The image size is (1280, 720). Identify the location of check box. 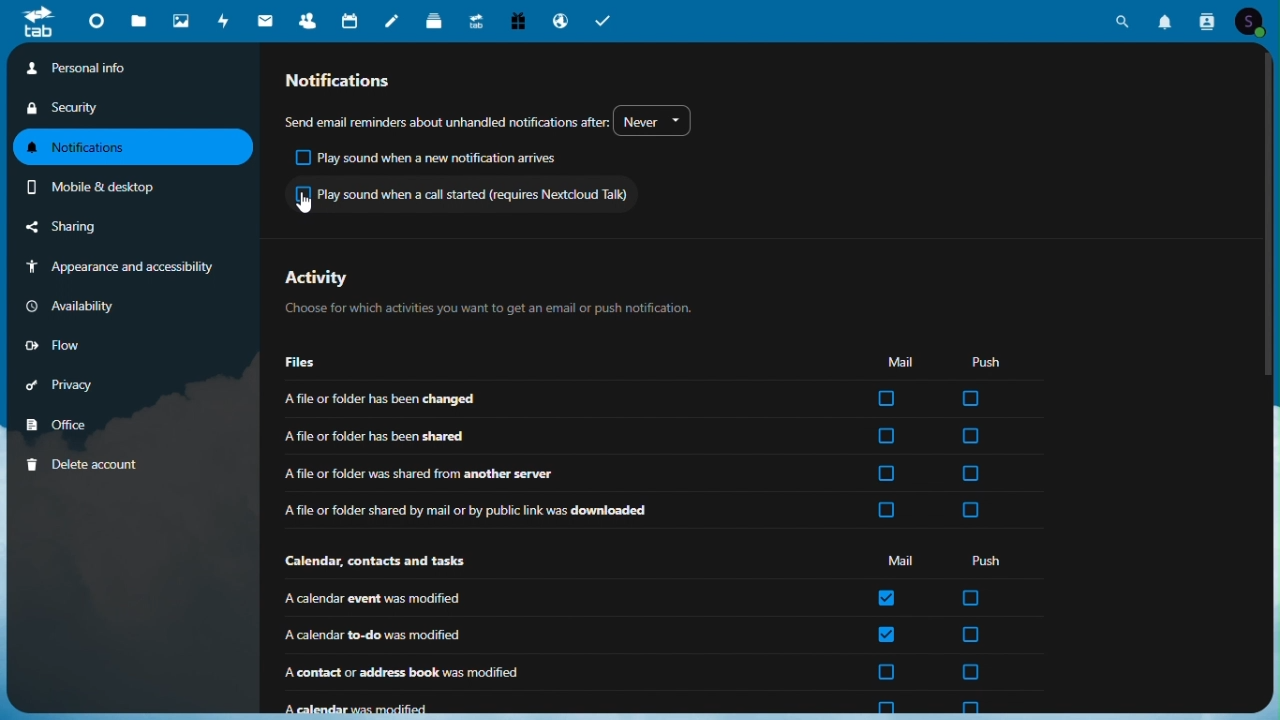
(971, 474).